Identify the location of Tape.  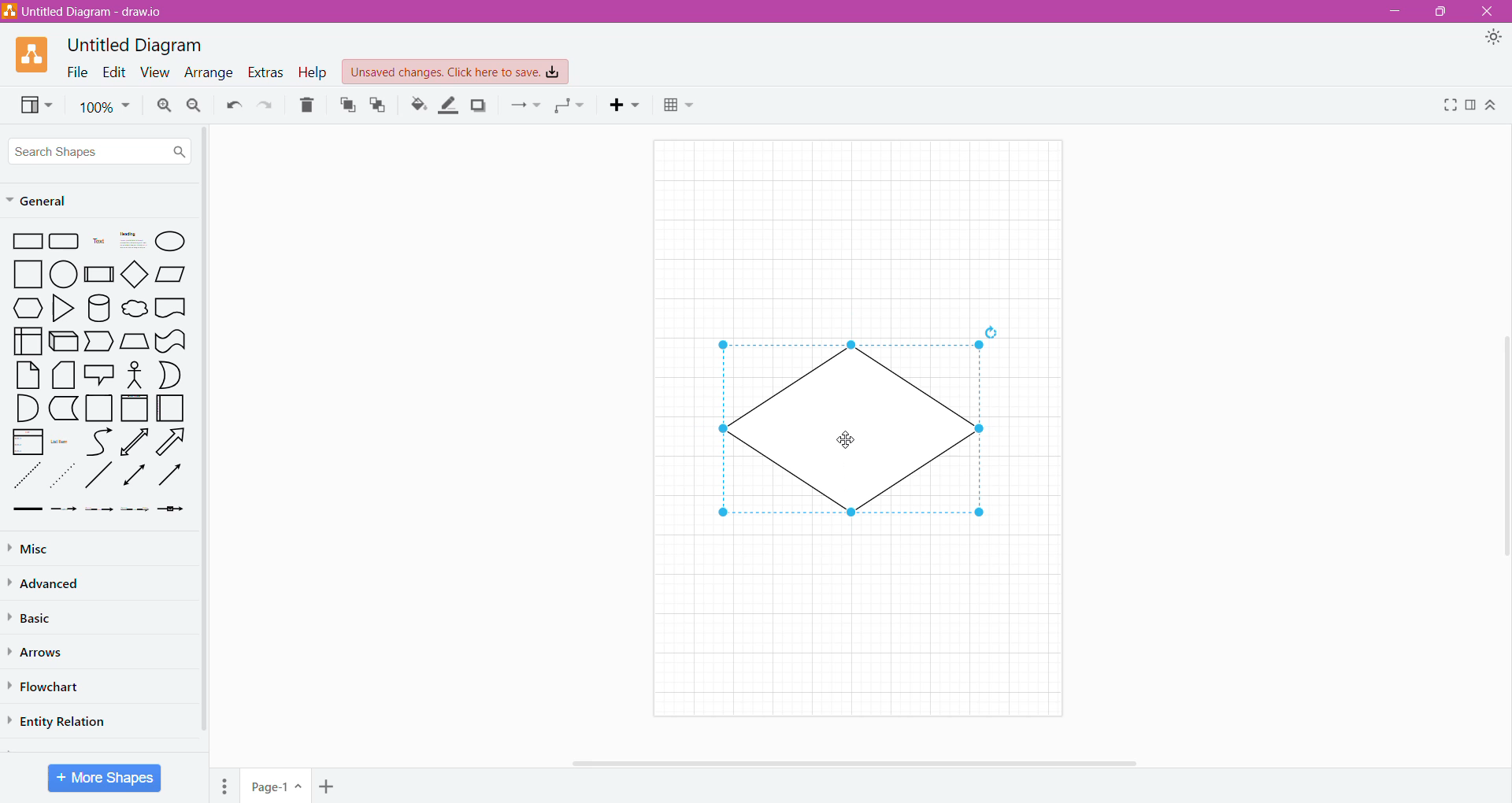
(171, 342).